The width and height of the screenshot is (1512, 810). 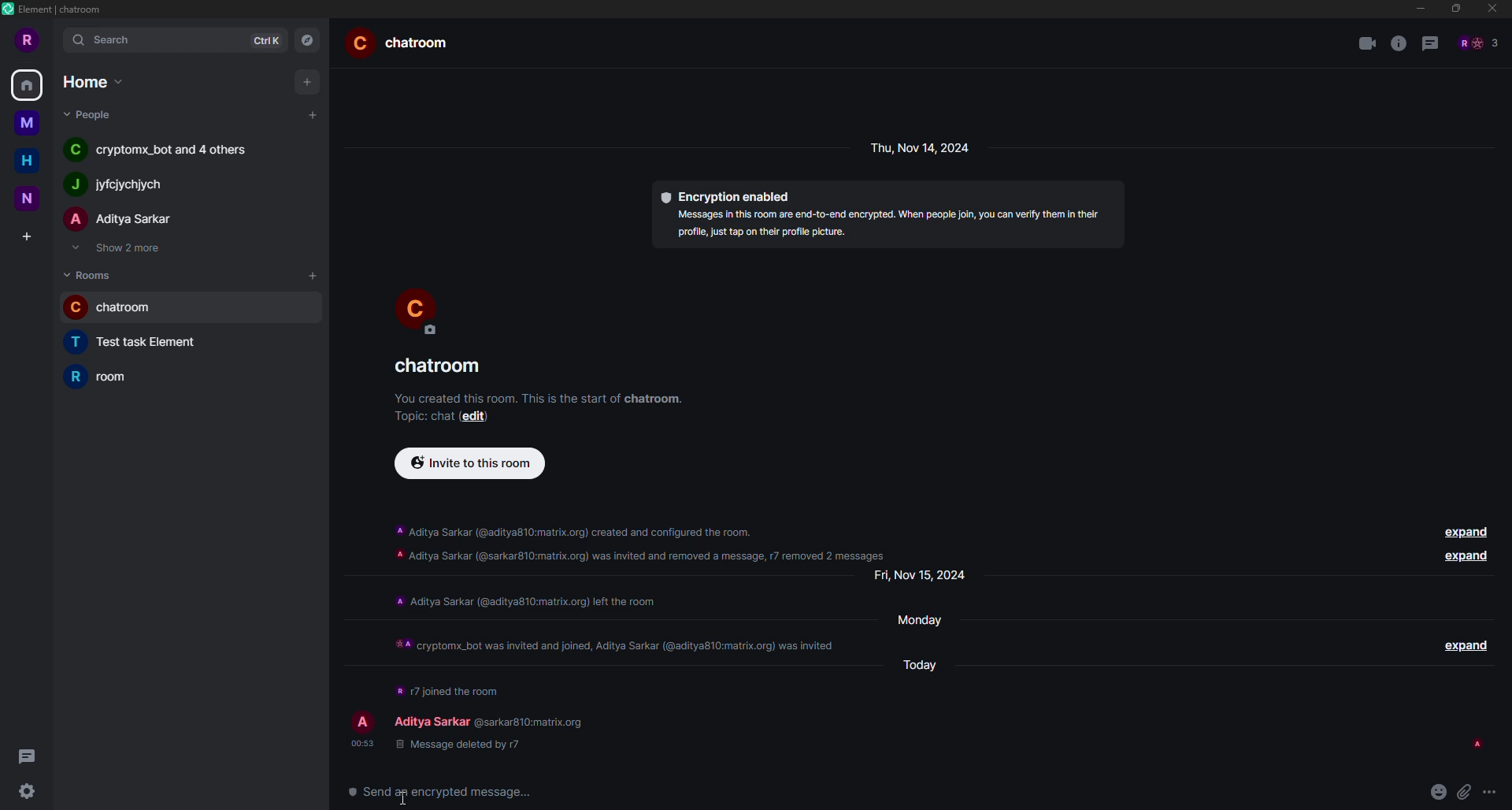 What do you see at coordinates (1456, 7) in the screenshot?
I see `maximize` at bounding box center [1456, 7].